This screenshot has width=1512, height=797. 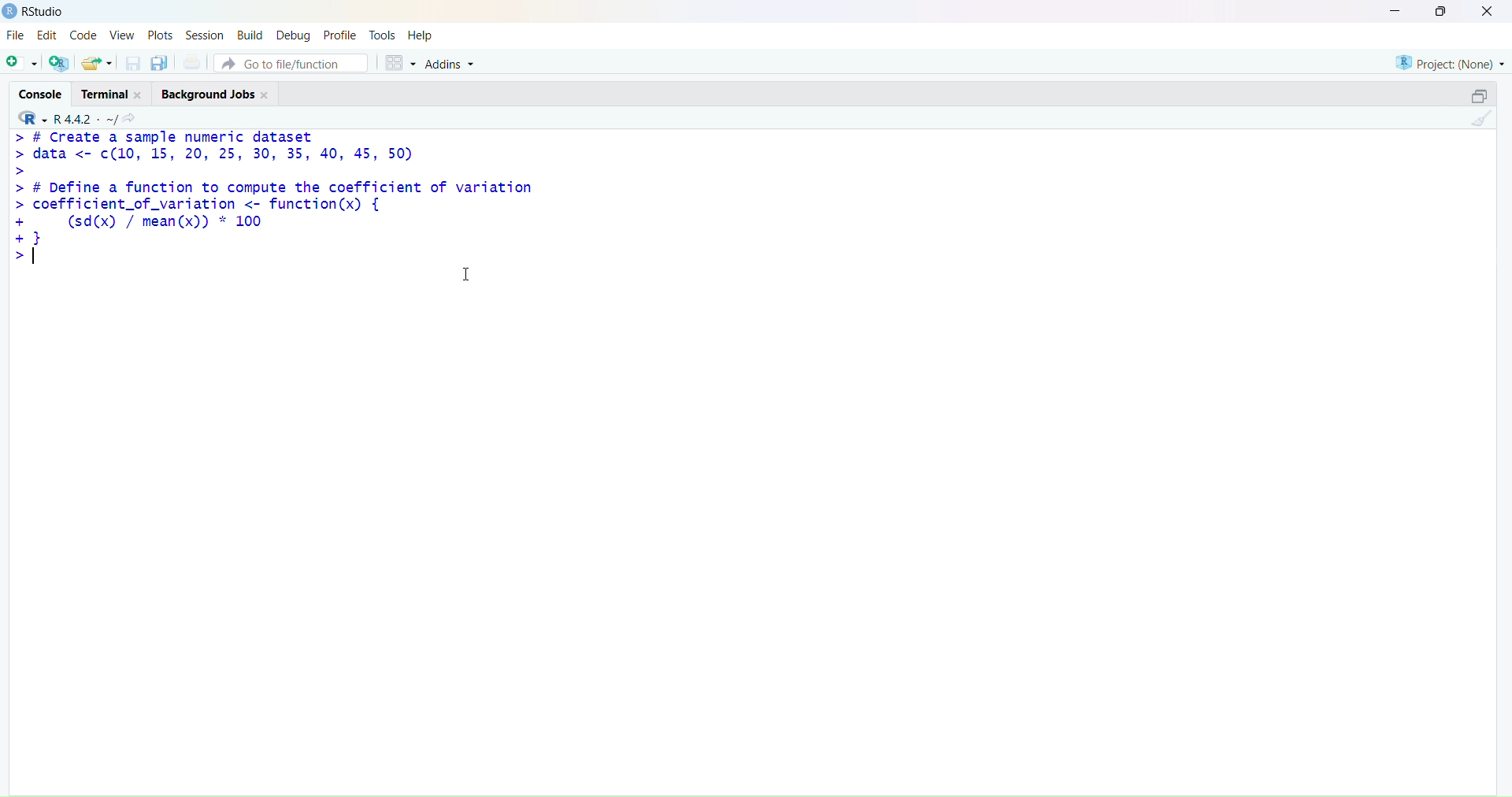 I want to click on file, so click(x=14, y=35).